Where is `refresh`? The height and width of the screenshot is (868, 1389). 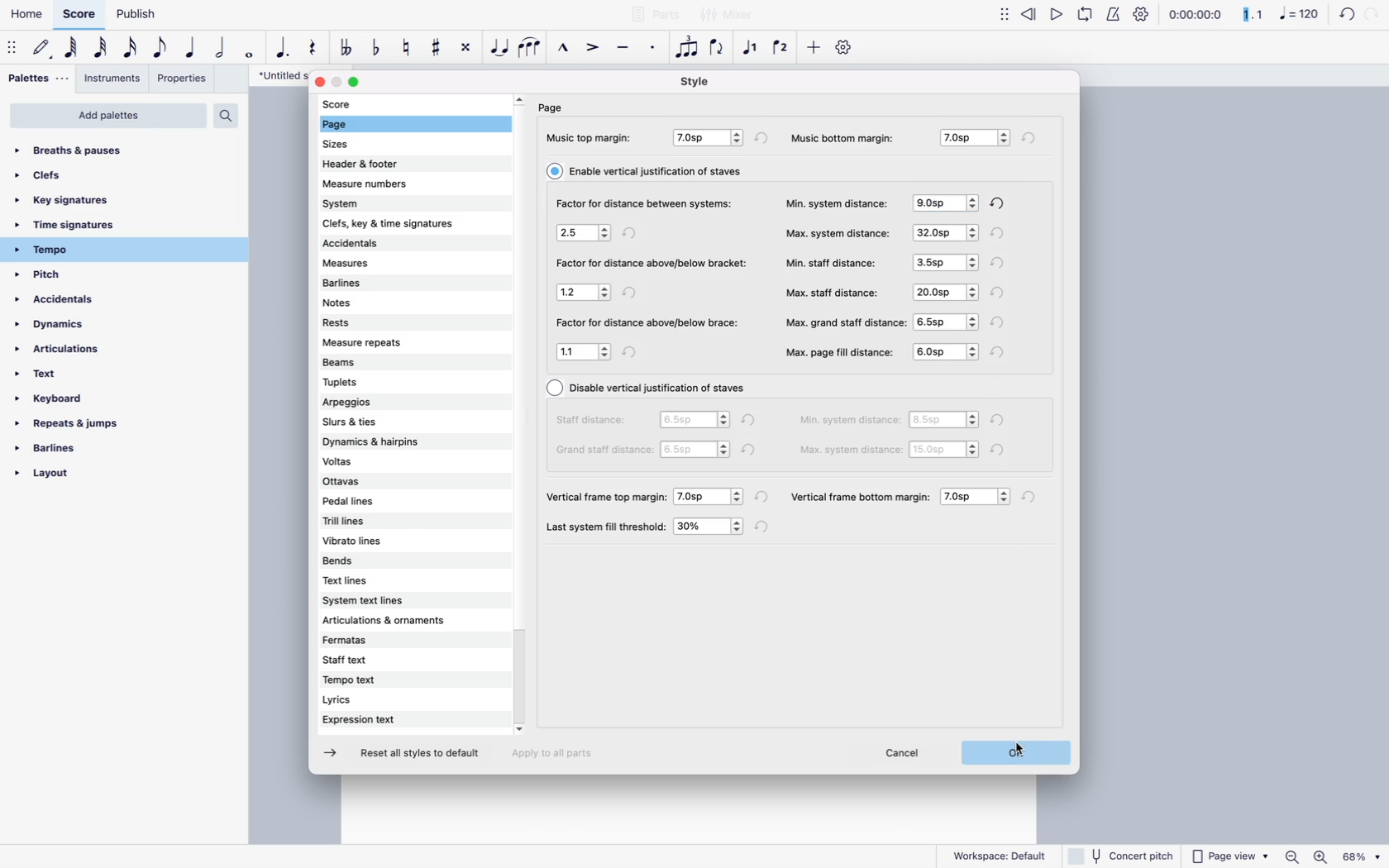
refresh is located at coordinates (1352, 15).